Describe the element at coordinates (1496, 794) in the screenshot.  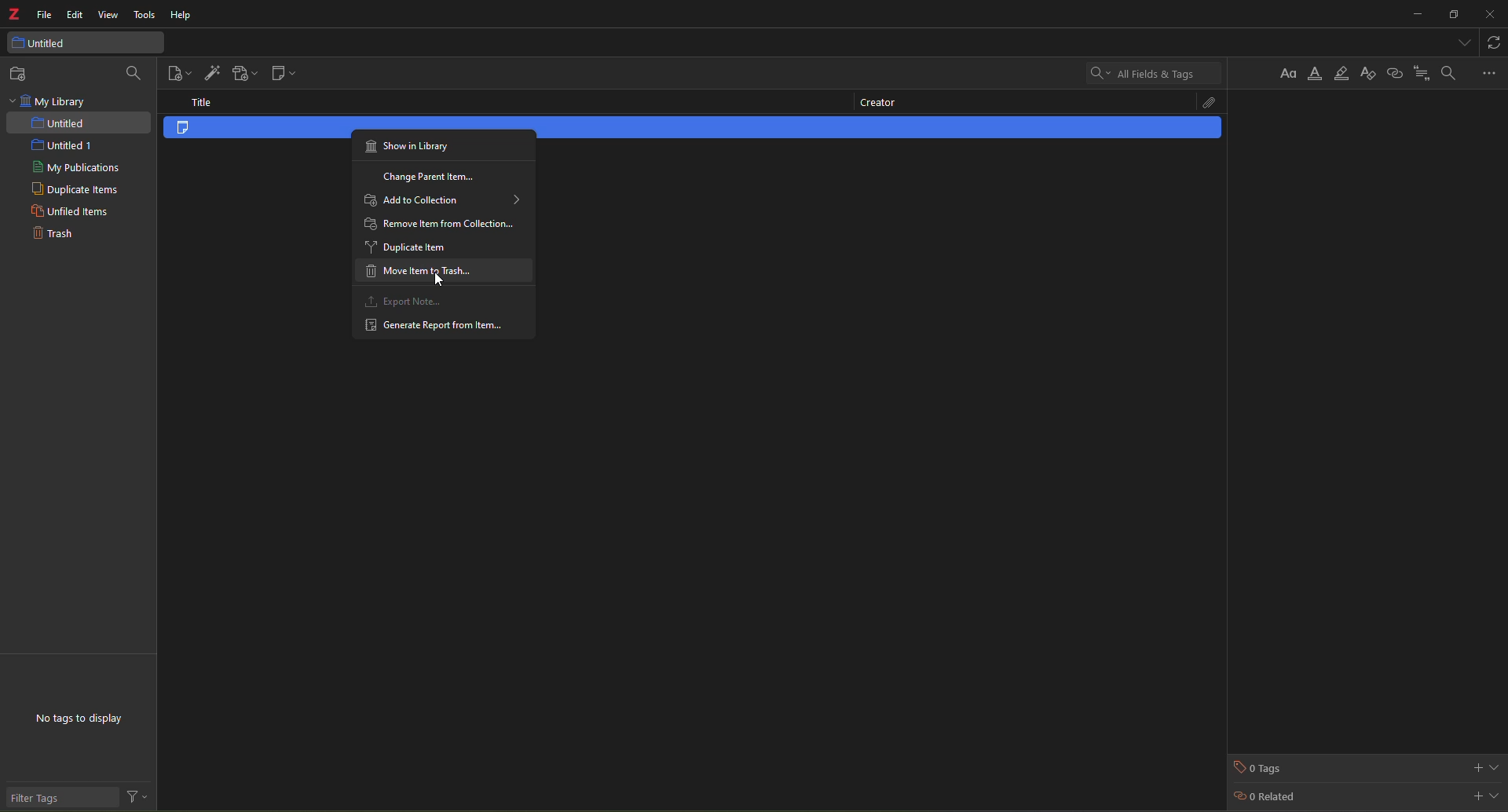
I see `expand` at that location.